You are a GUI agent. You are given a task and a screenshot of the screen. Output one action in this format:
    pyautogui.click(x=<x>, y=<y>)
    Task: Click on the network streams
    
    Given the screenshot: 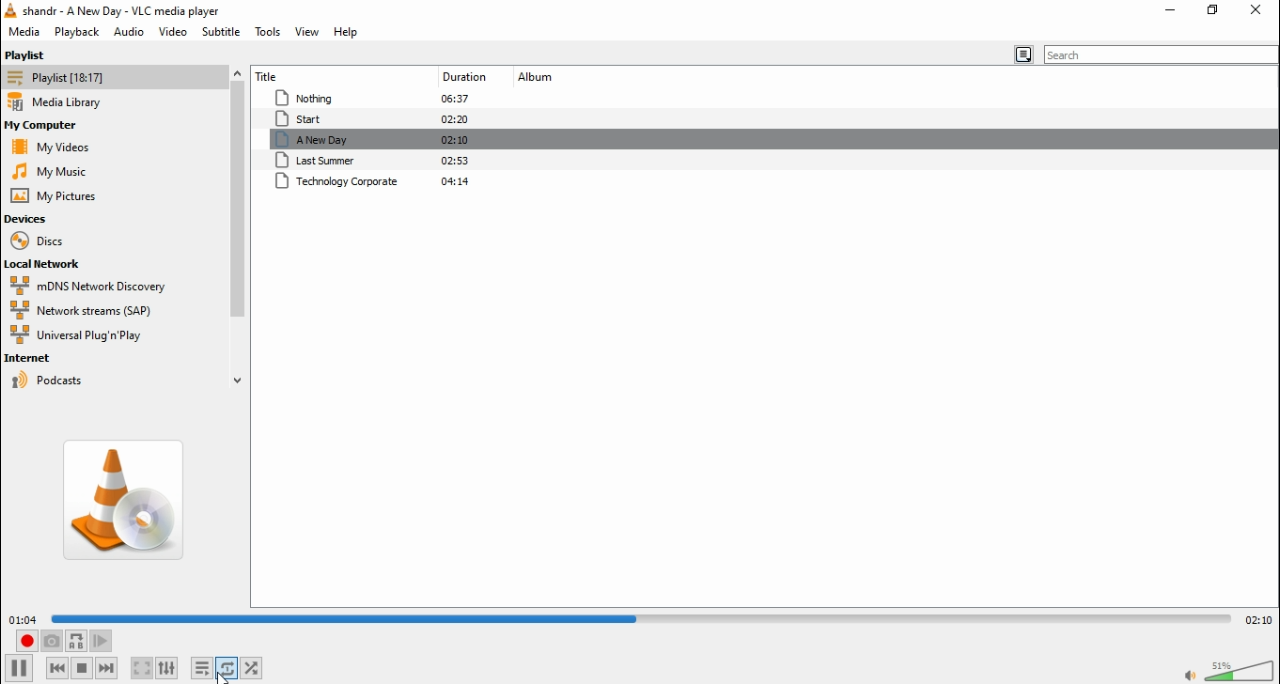 What is the action you would take?
    pyautogui.click(x=87, y=312)
    